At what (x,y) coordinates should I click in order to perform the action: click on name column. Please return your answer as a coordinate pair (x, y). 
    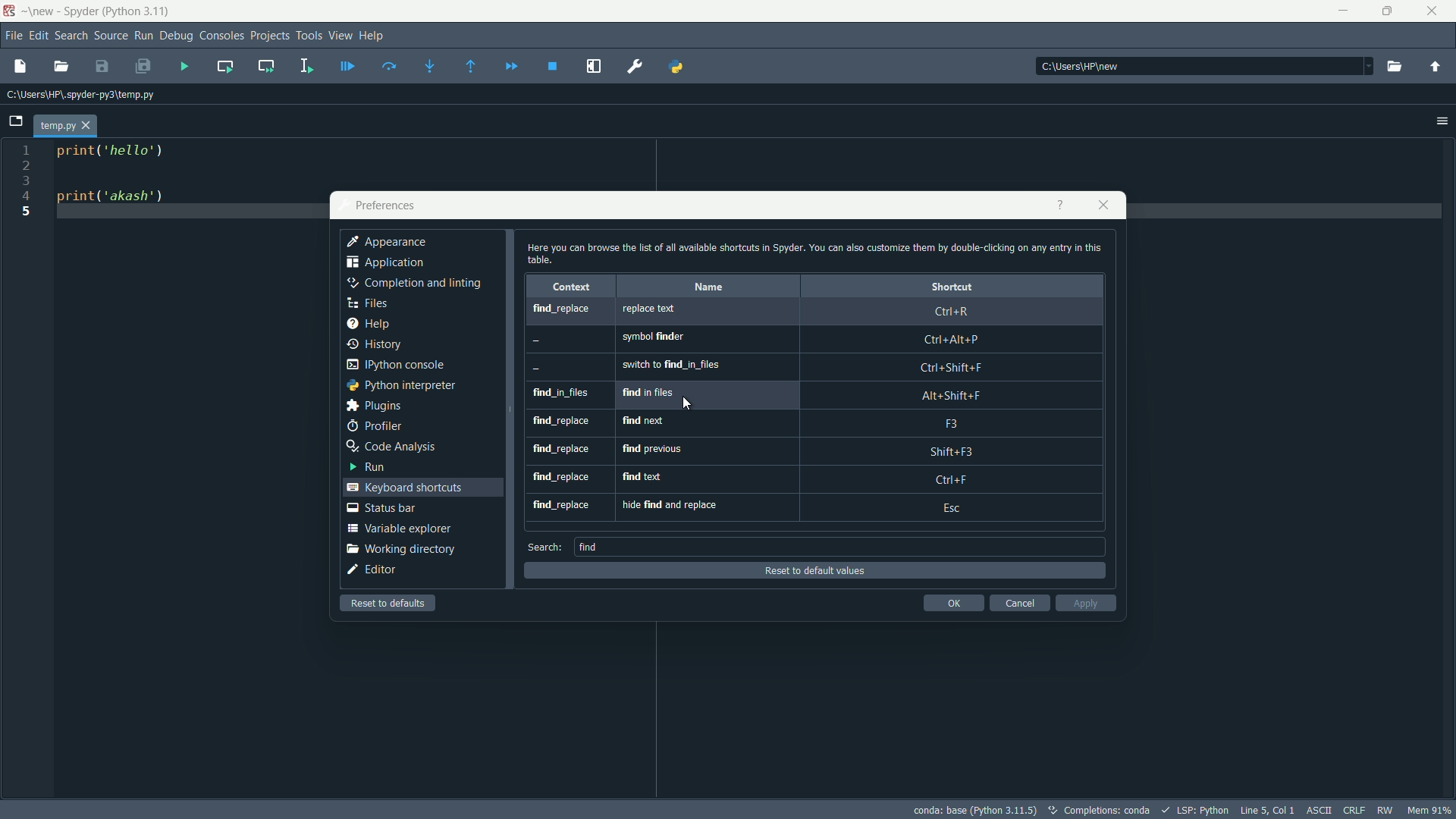
    Looking at the image, I should click on (708, 285).